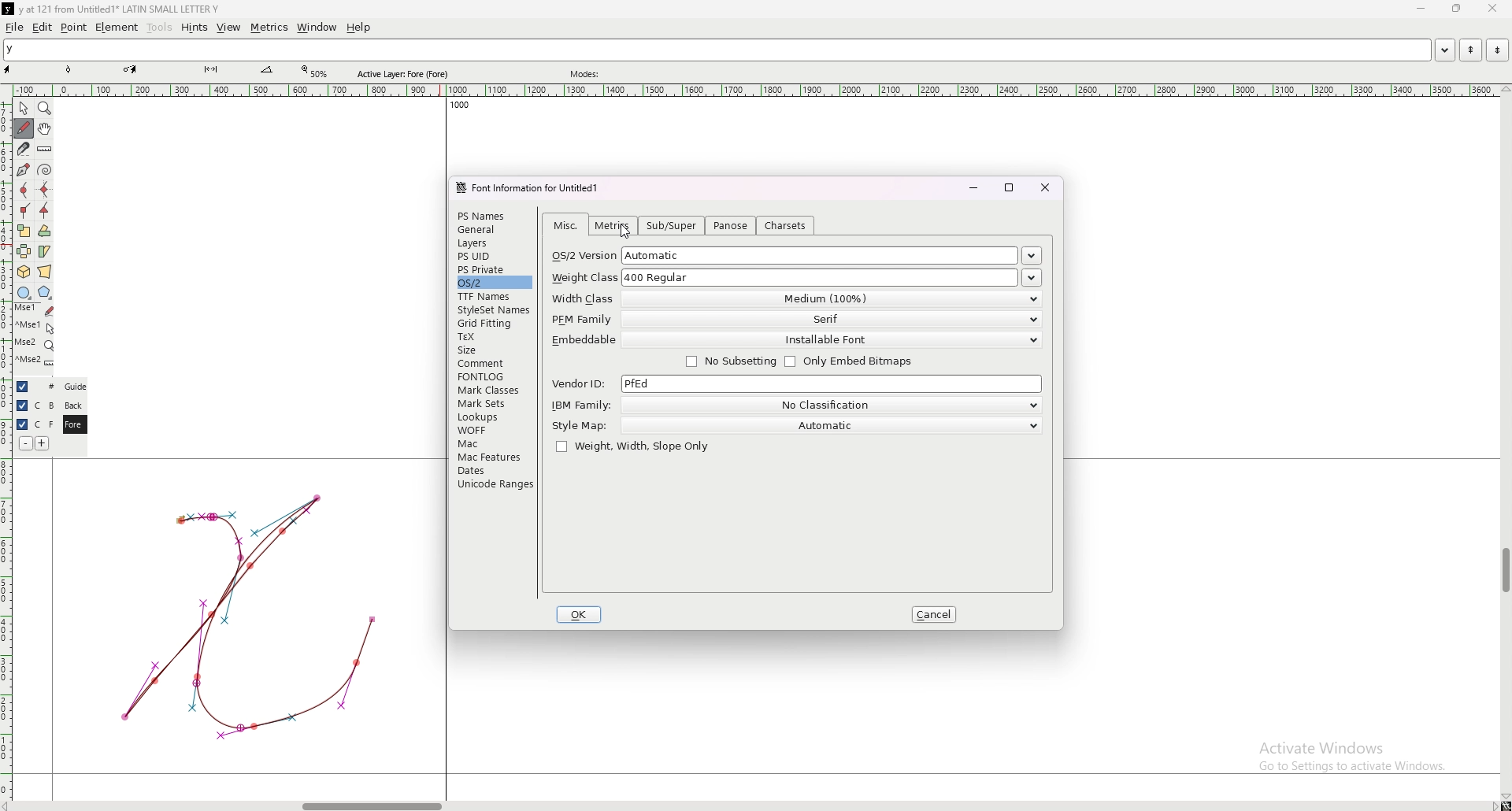  What do you see at coordinates (732, 226) in the screenshot?
I see `panose` at bounding box center [732, 226].